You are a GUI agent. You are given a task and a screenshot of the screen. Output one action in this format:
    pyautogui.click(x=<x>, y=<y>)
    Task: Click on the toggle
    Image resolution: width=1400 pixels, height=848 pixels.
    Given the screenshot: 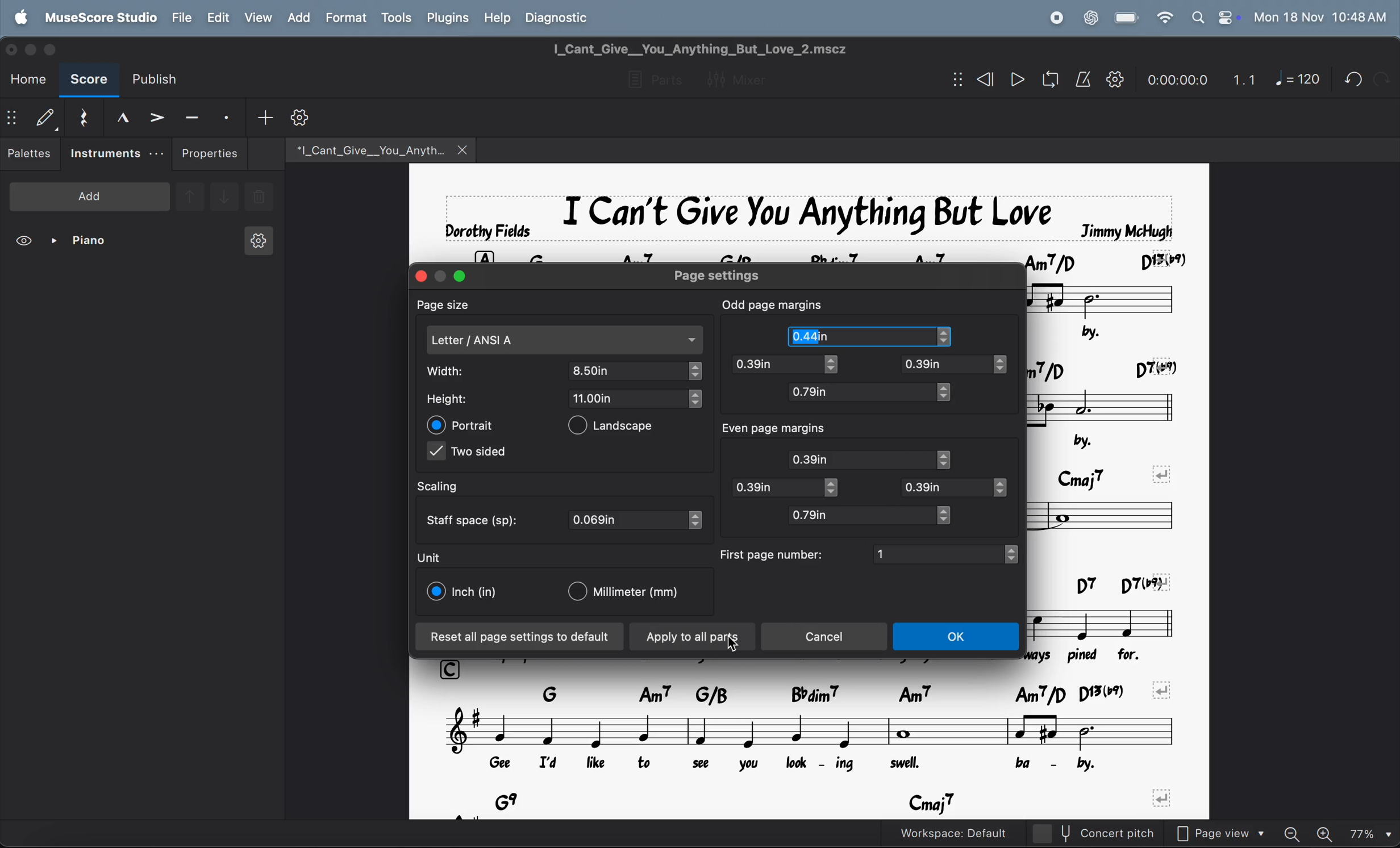 What is the action you would take?
    pyautogui.click(x=694, y=399)
    